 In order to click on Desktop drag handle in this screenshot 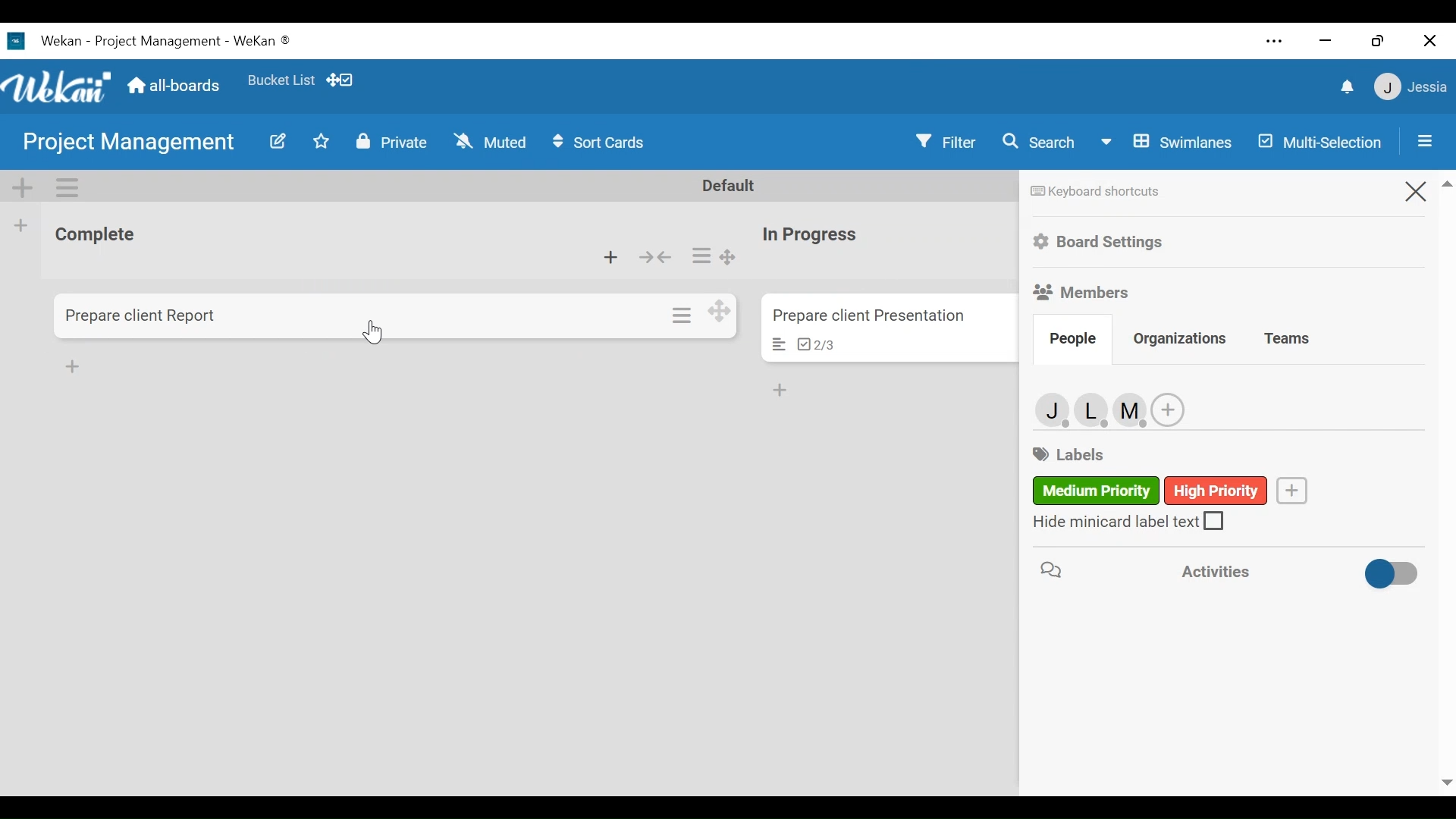, I will do `click(726, 257)`.